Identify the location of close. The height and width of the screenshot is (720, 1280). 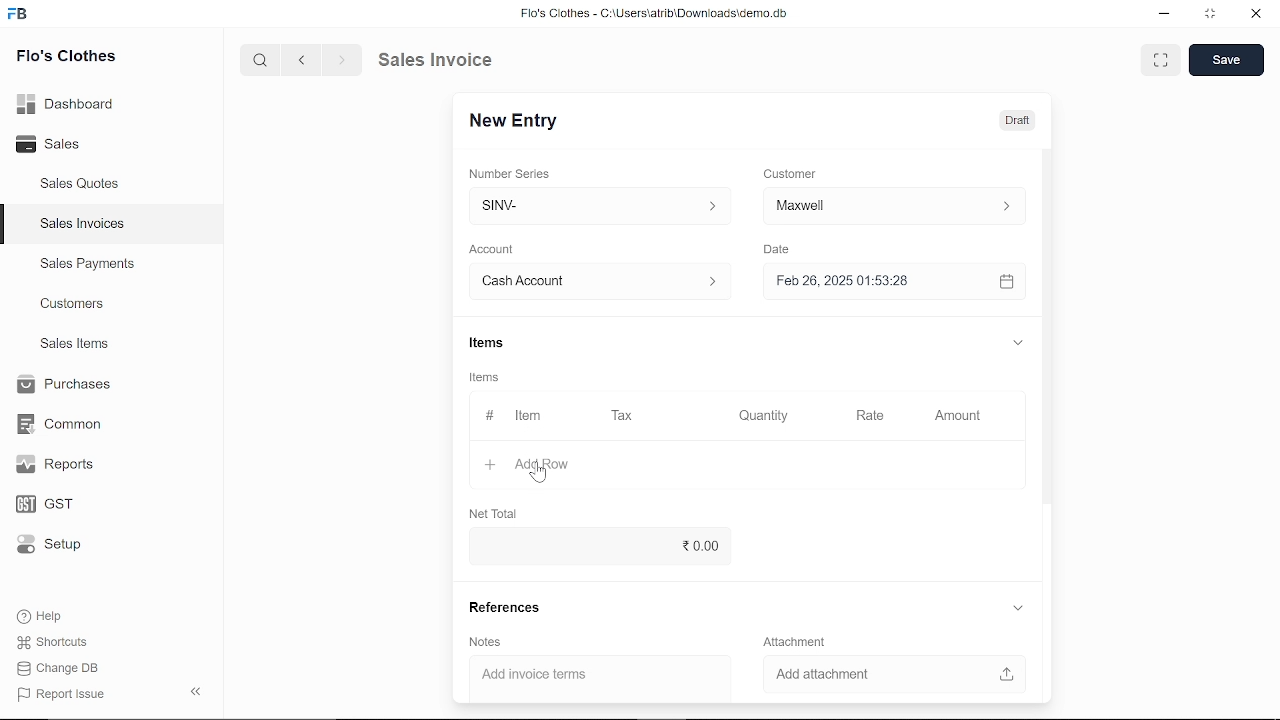
(1254, 15).